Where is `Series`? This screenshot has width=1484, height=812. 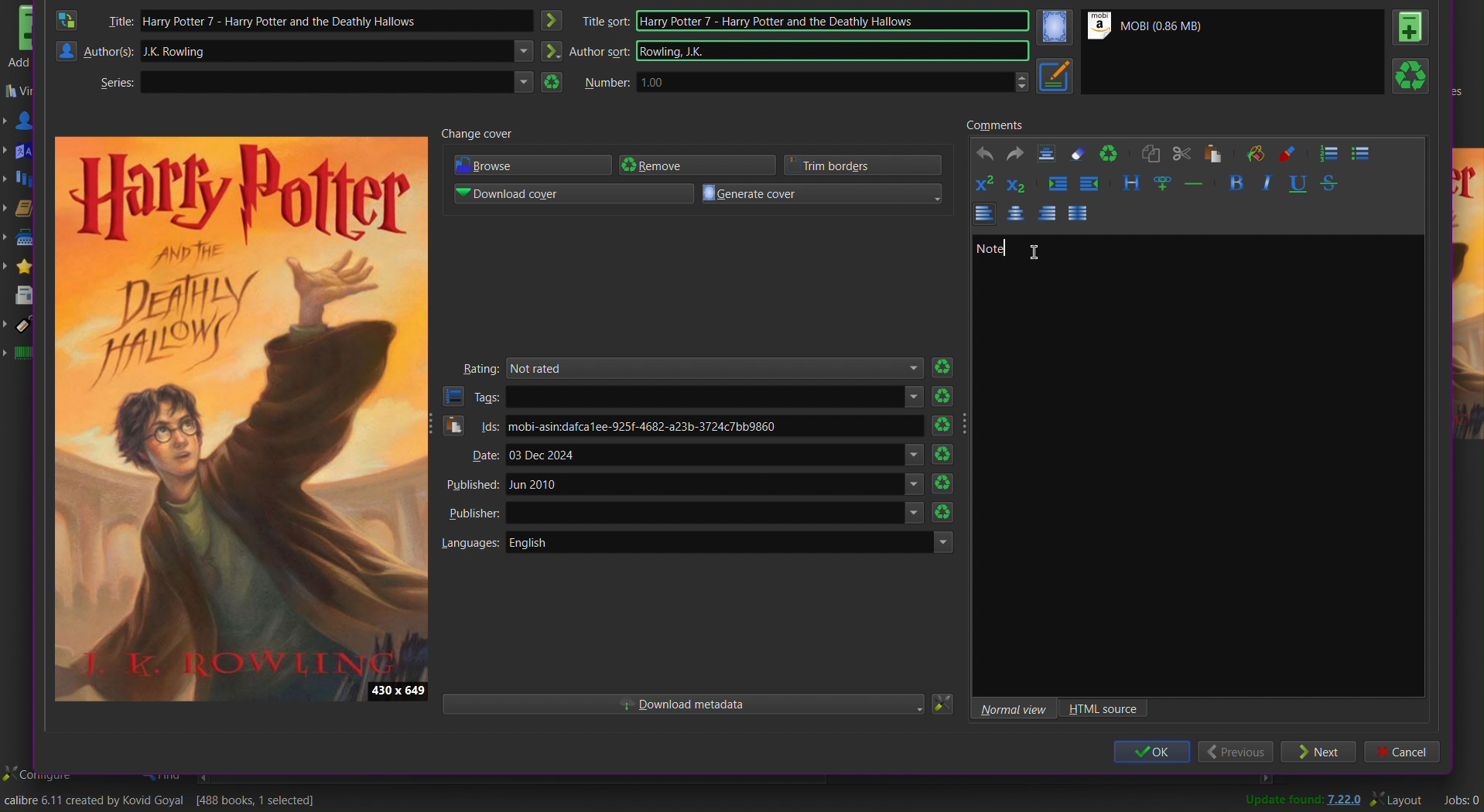 Series is located at coordinates (112, 87).